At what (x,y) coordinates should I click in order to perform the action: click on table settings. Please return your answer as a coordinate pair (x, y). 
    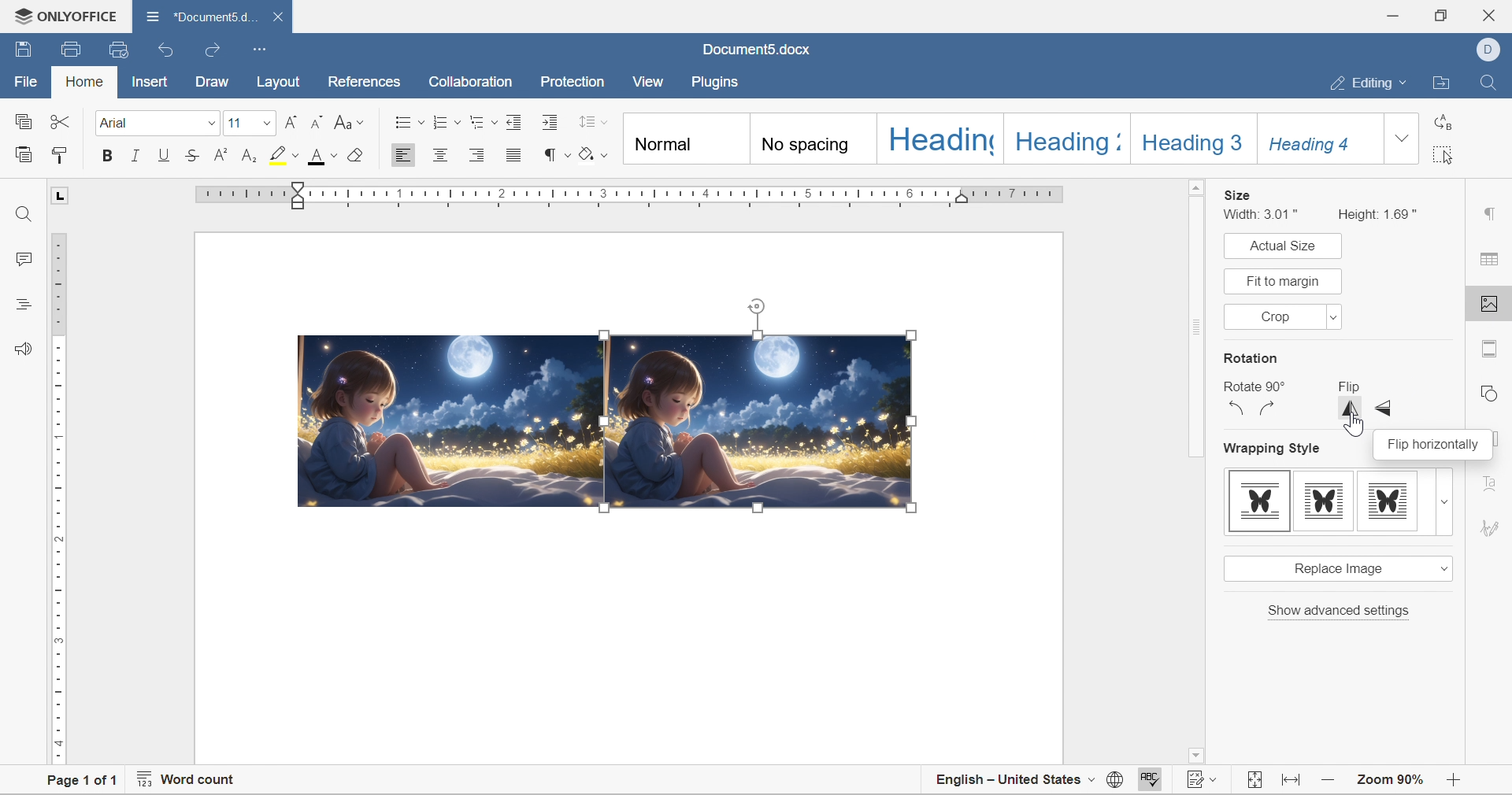
    Looking at the image, I should click on (1492, 260).